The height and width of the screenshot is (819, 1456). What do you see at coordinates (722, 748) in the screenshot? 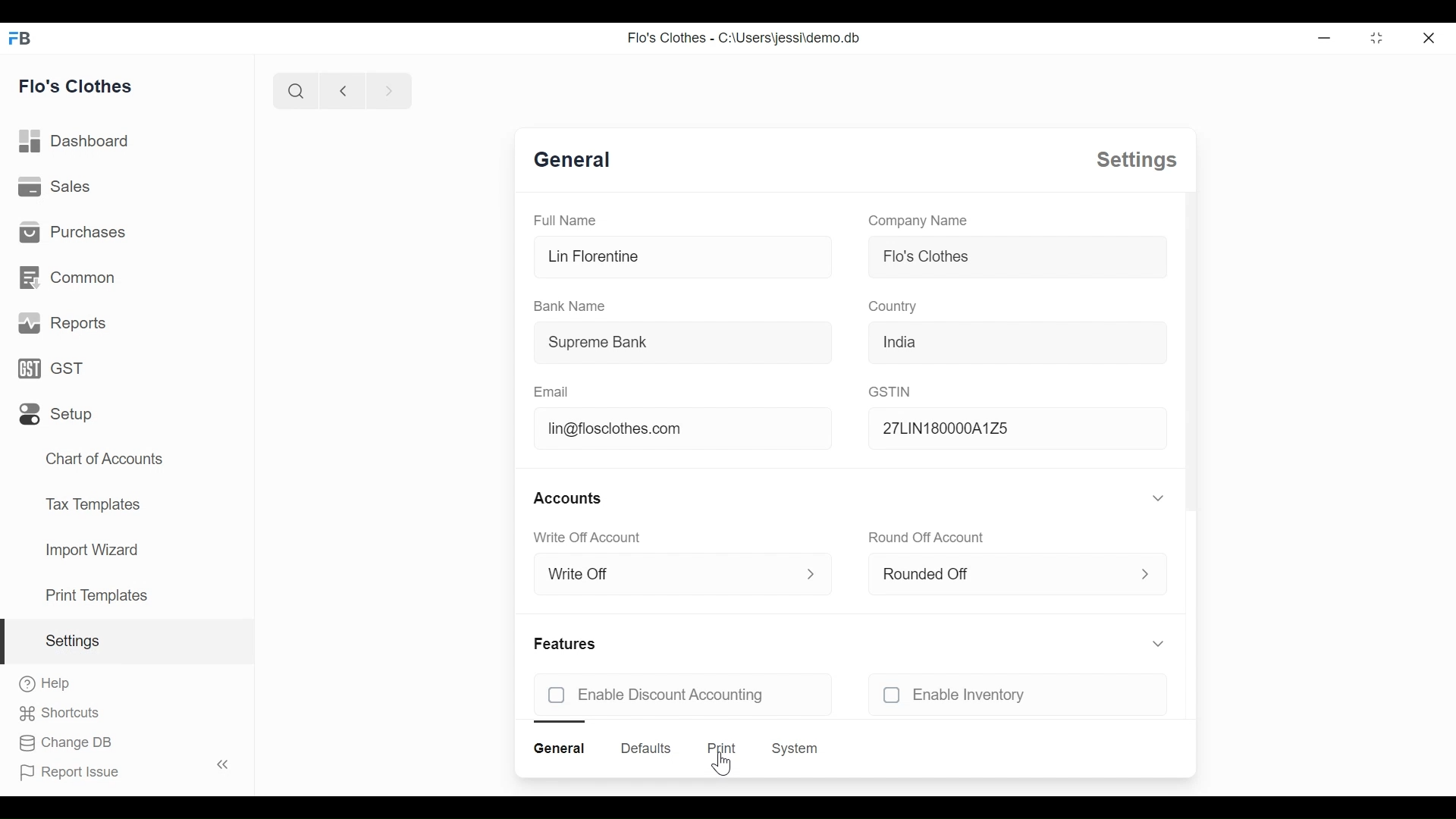
I see `print` at bounding box center [722, 748].